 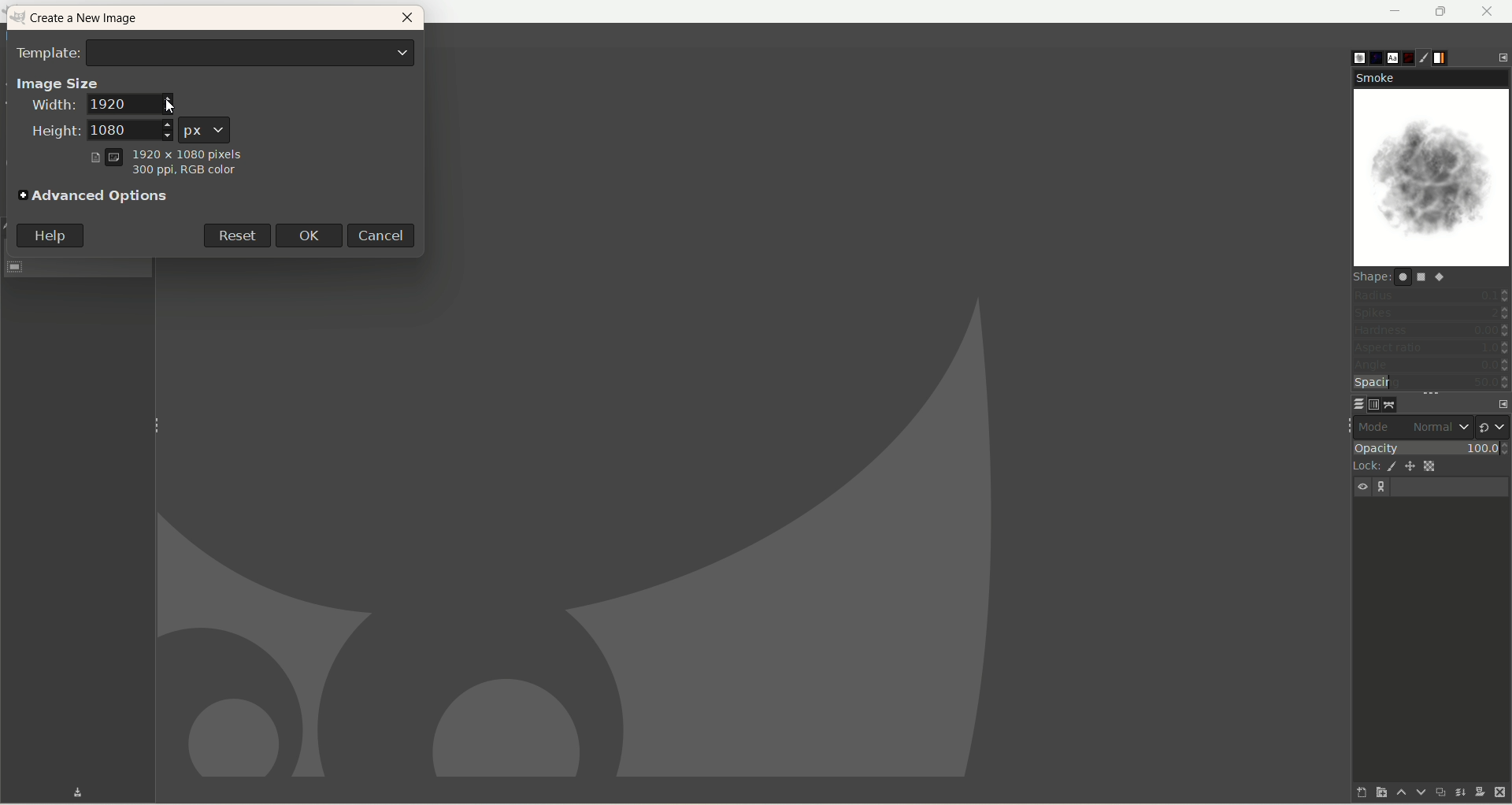 I want to click on width, so click(x=102, y=107).